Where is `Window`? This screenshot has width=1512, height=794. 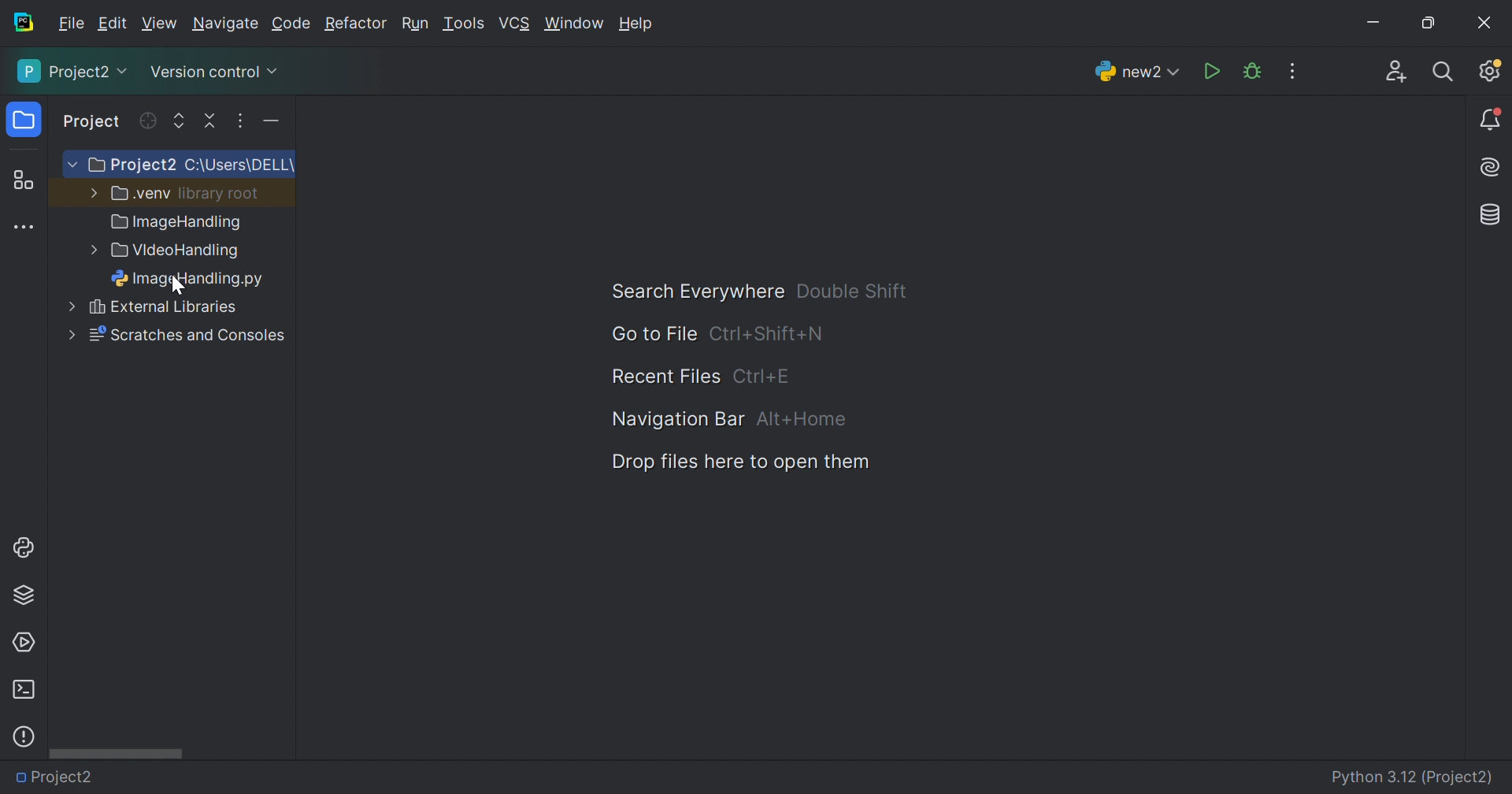
Window is located at coordinates (575, 25).